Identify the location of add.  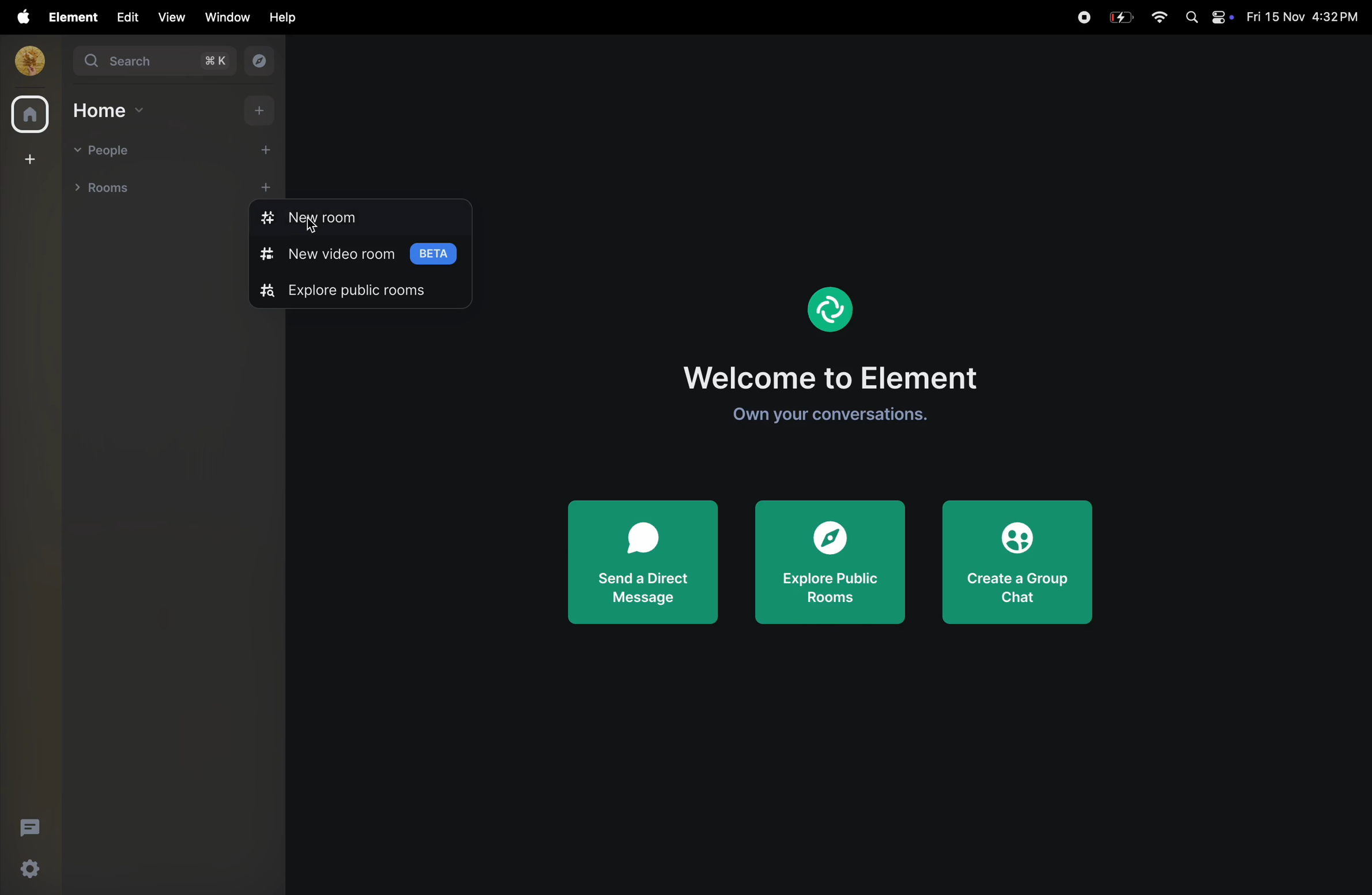
(255, 112).